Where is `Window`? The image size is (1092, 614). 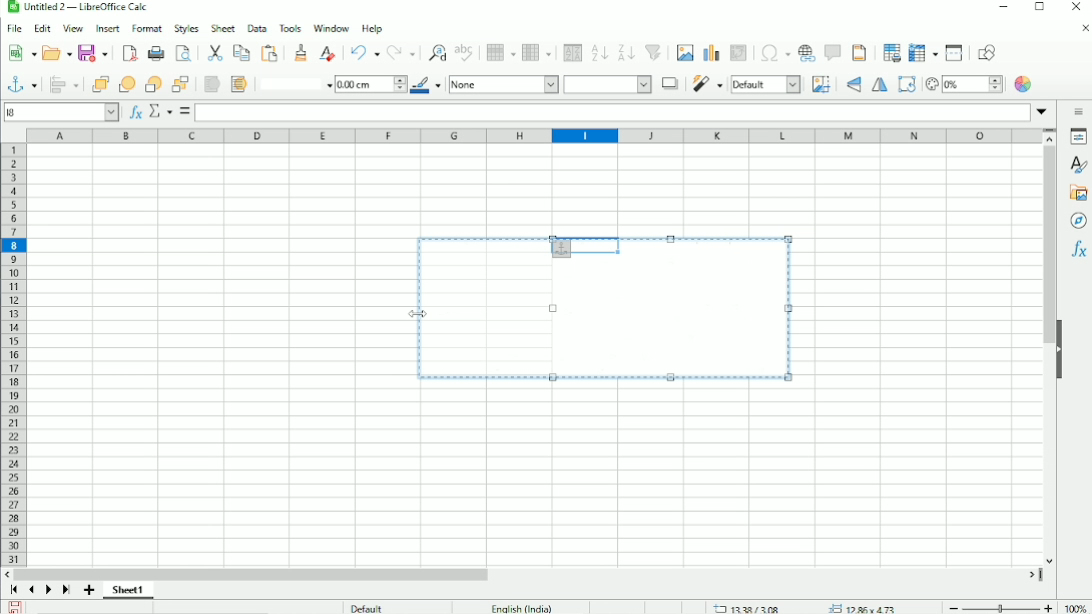 Window is located at coordinates (330, 28).